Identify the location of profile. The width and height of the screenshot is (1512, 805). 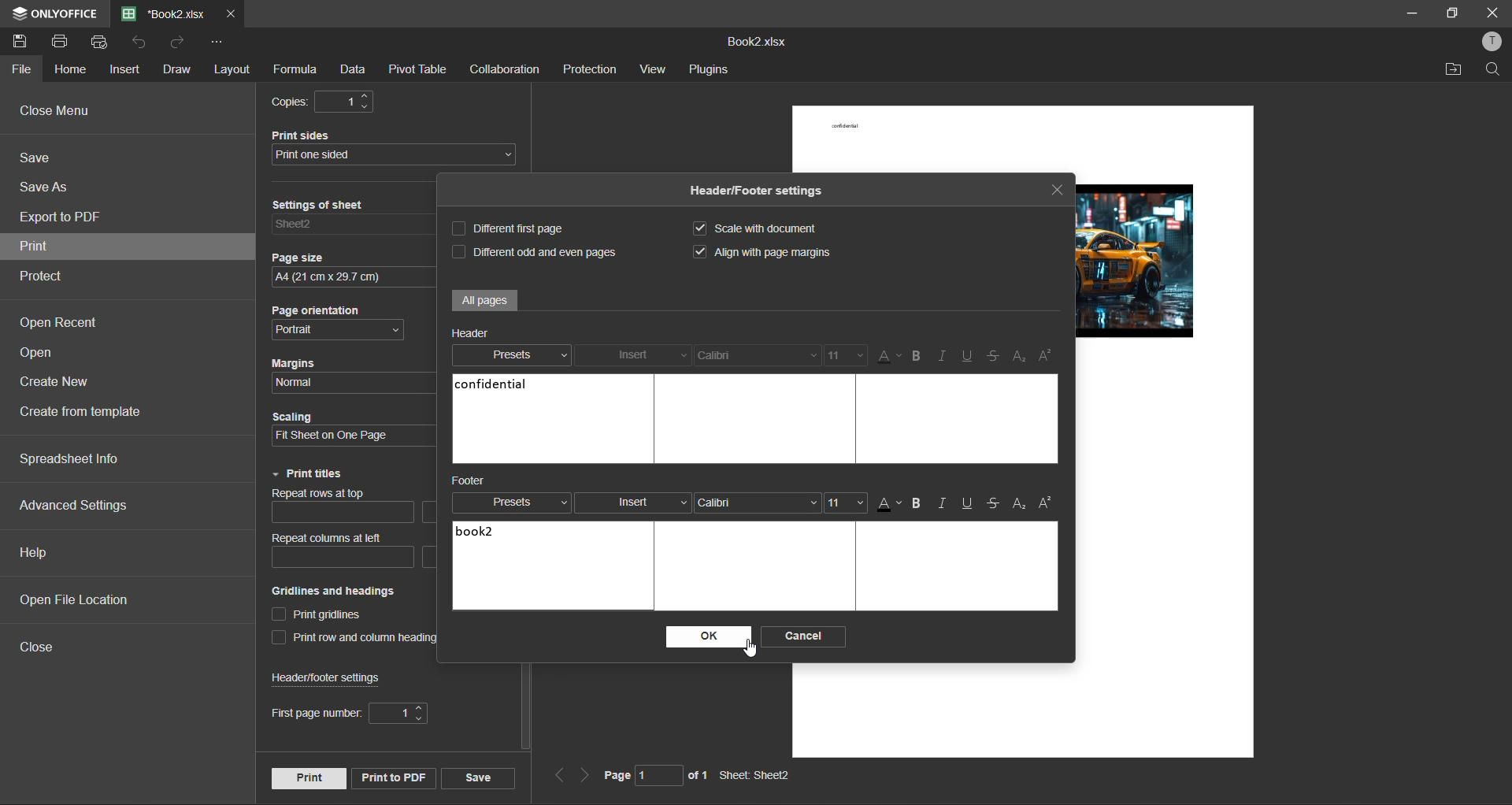
(1492, 42).